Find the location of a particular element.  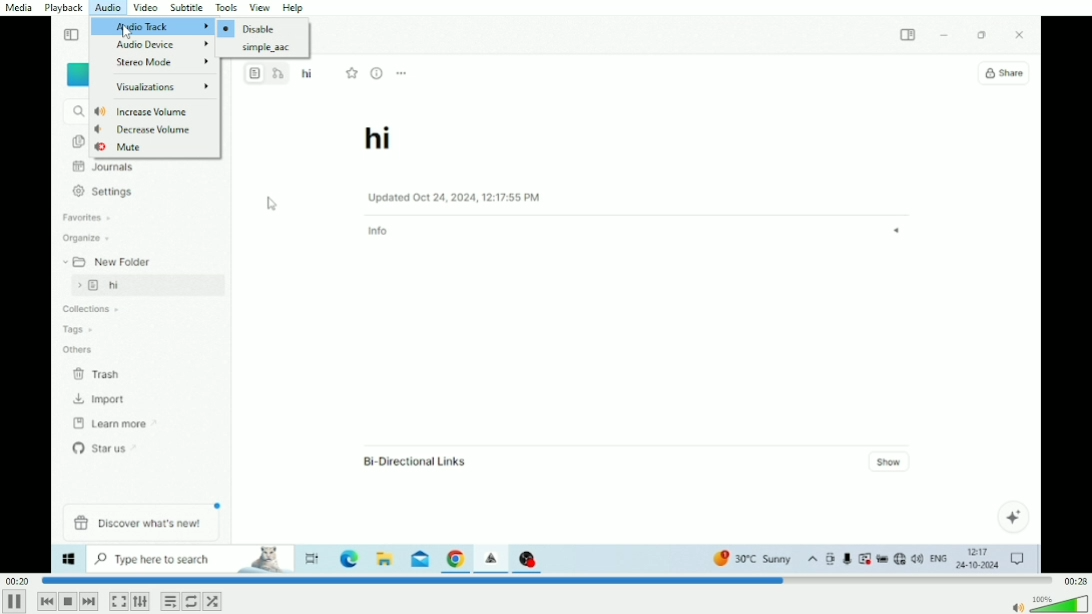

Click to toggle between loop all, loop one and no loop is located at coordinates (191, 601).